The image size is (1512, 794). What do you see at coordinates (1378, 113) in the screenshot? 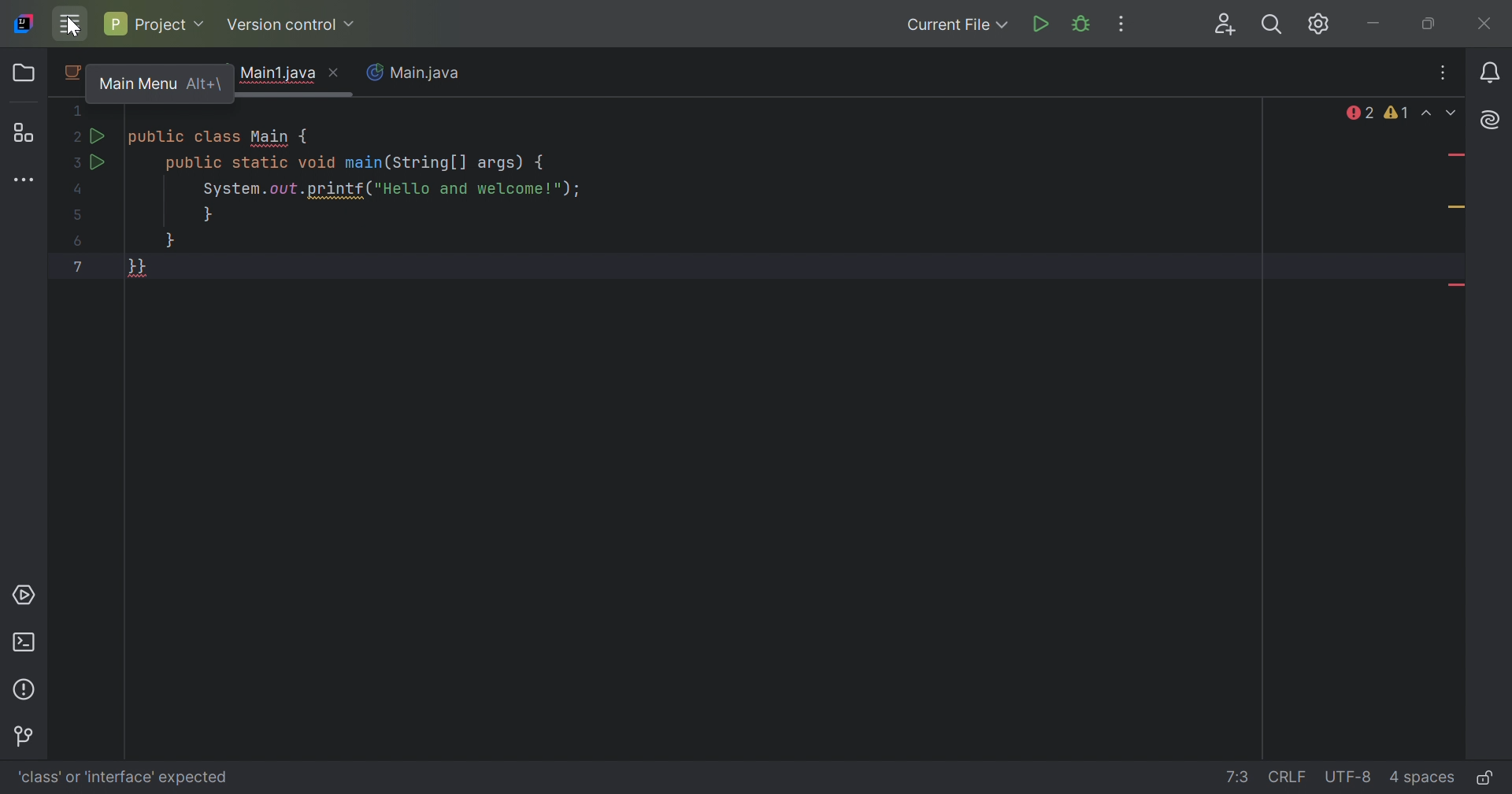
I see `2 errors, 1 warnings` at bounding box center [1378, 113].